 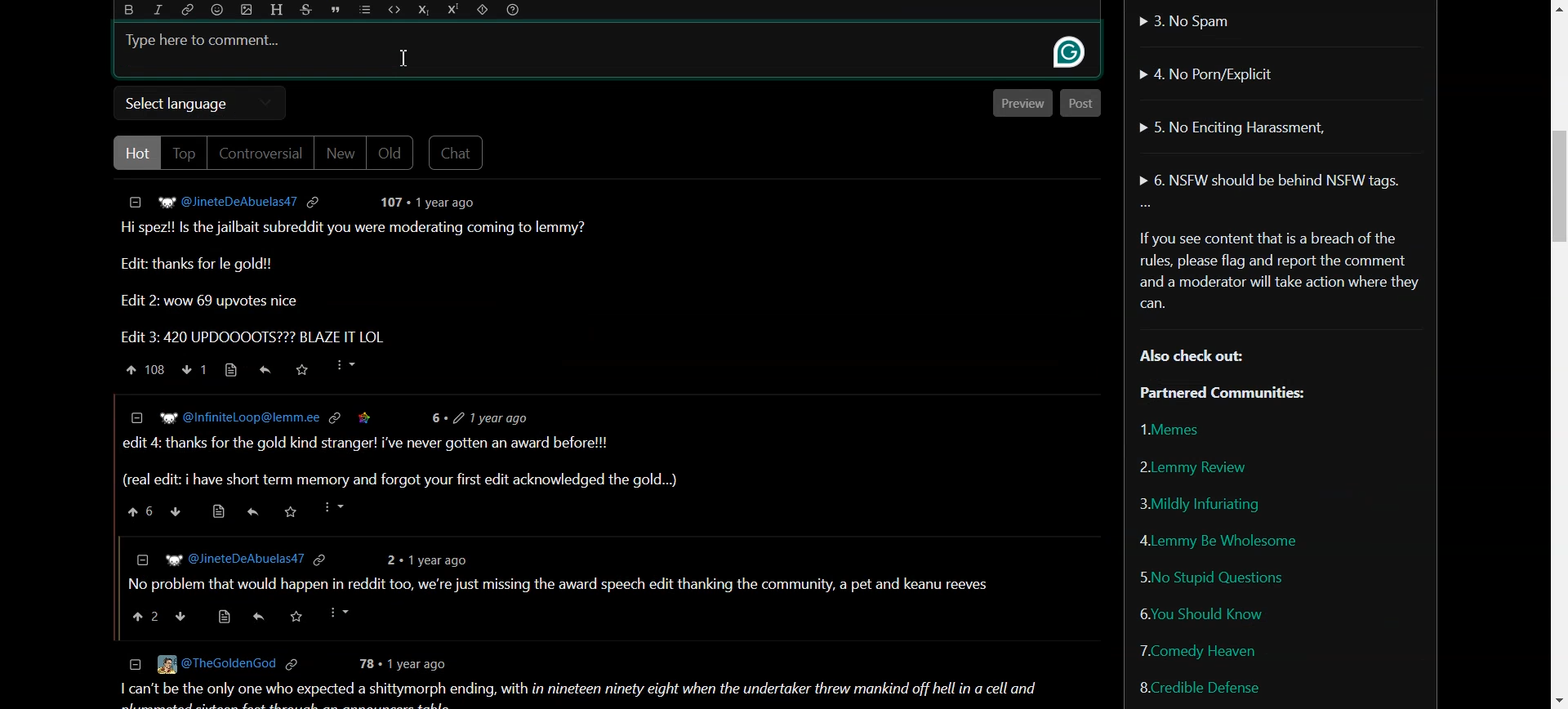 What do you see at coordinates (196, 370) in the screenshot?
I see `Downvote` at bounding box center [196, 370].